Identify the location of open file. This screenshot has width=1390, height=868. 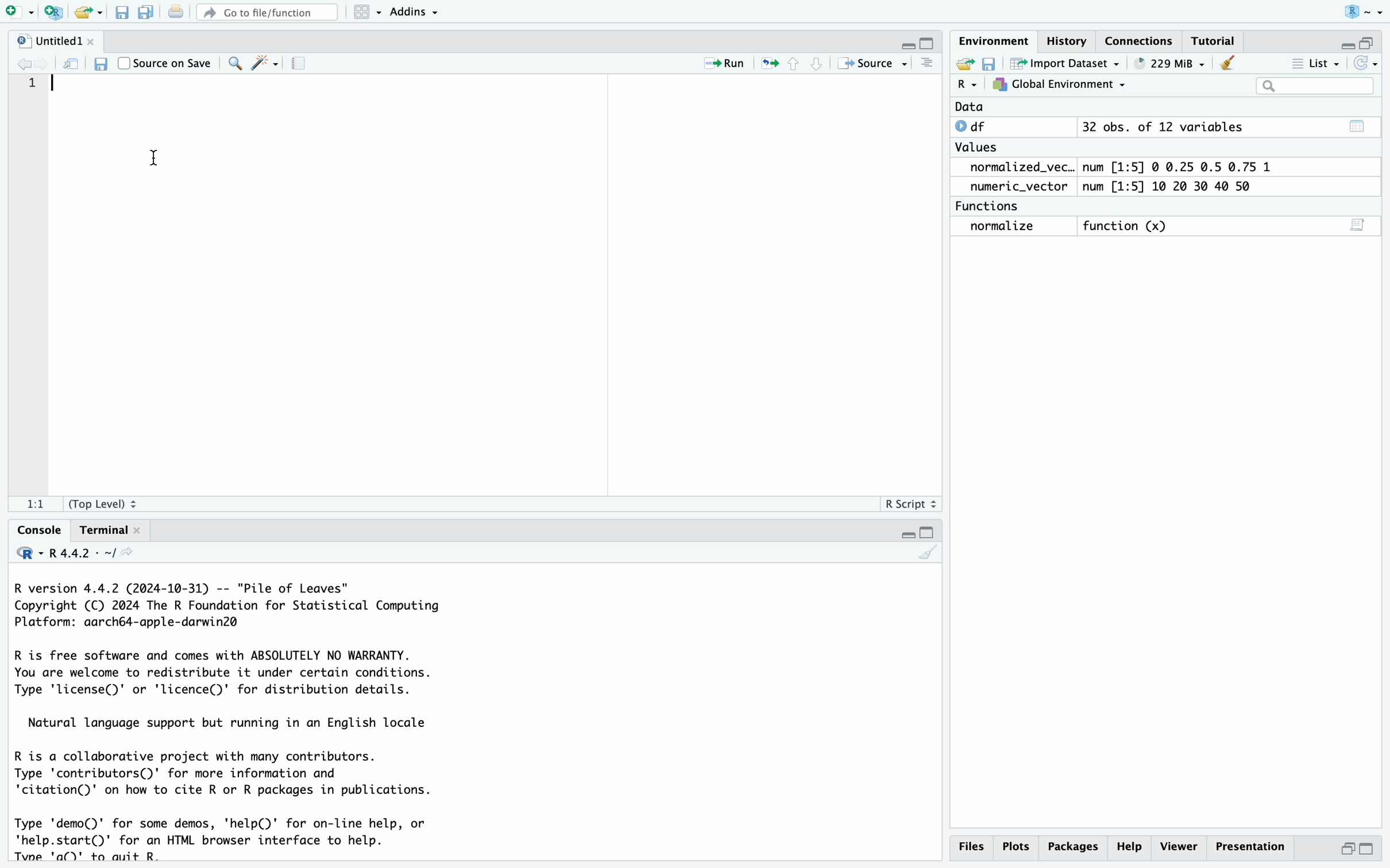
(967, 64).